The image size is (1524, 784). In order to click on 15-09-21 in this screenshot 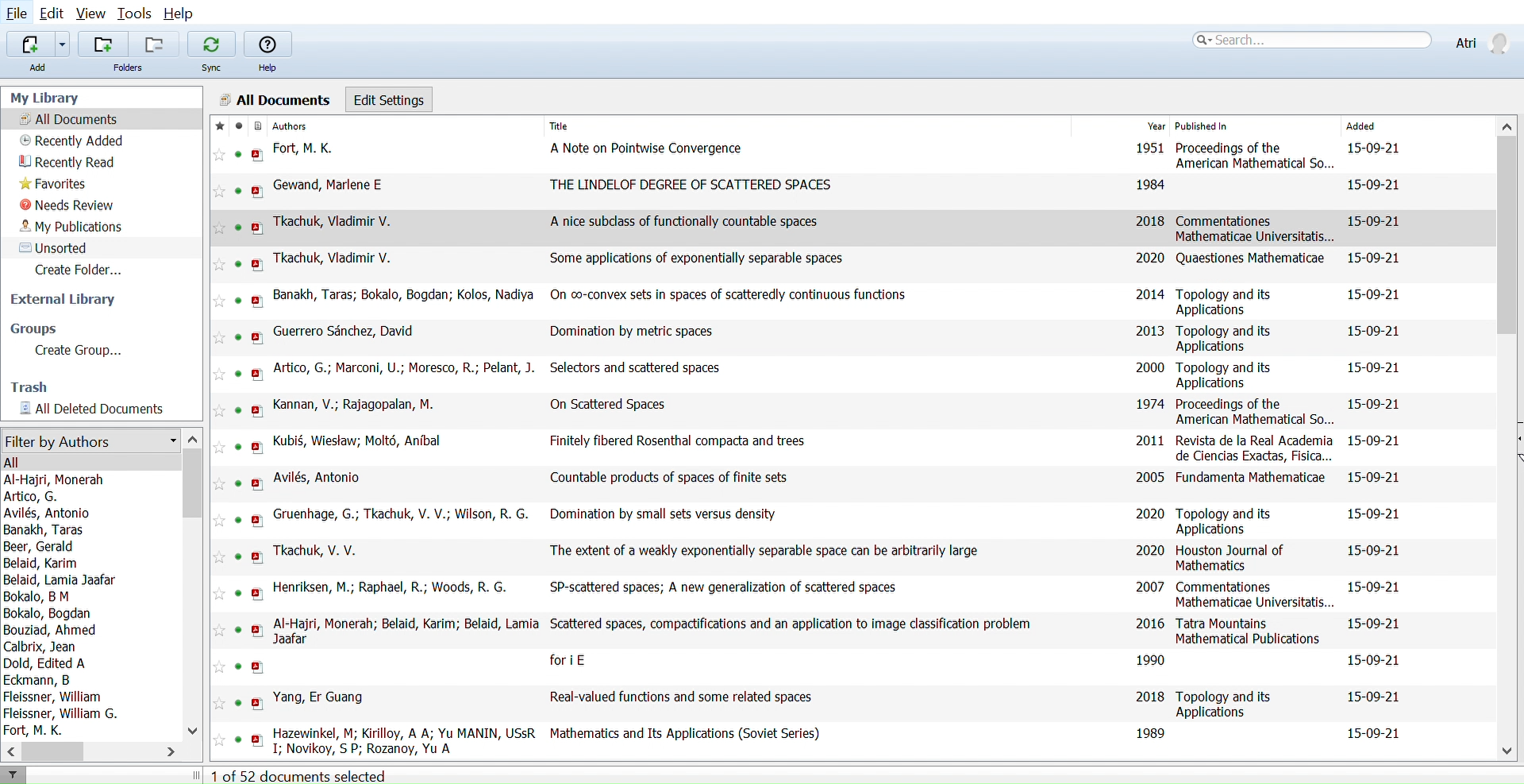, I will do `click(1375, 624)`.